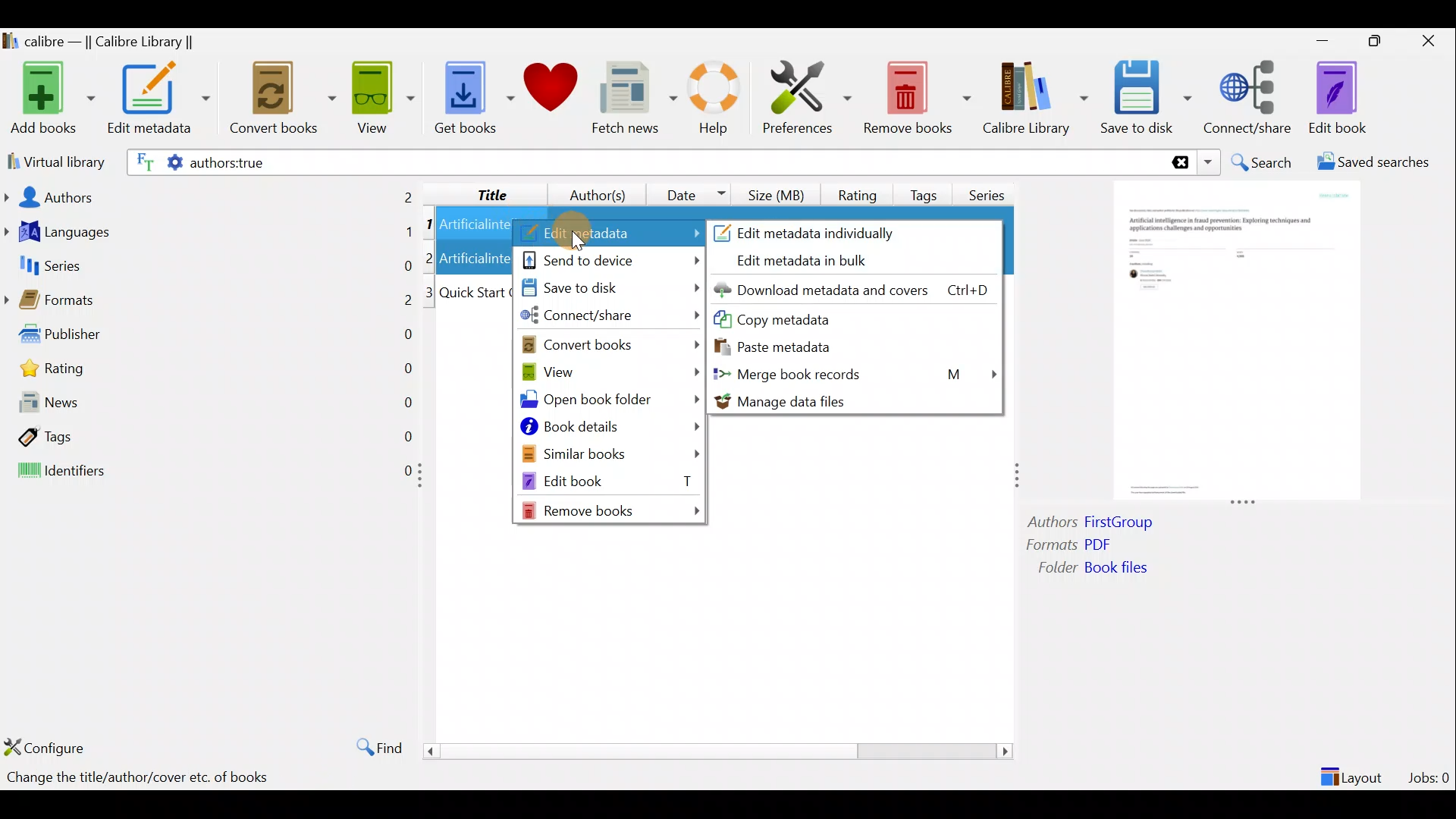 The image size is (1456, 819). What do you see at coordinates (1130, 570) in the screenshot?
I see `Folder: Book files` at bounding box center [1130, 570].